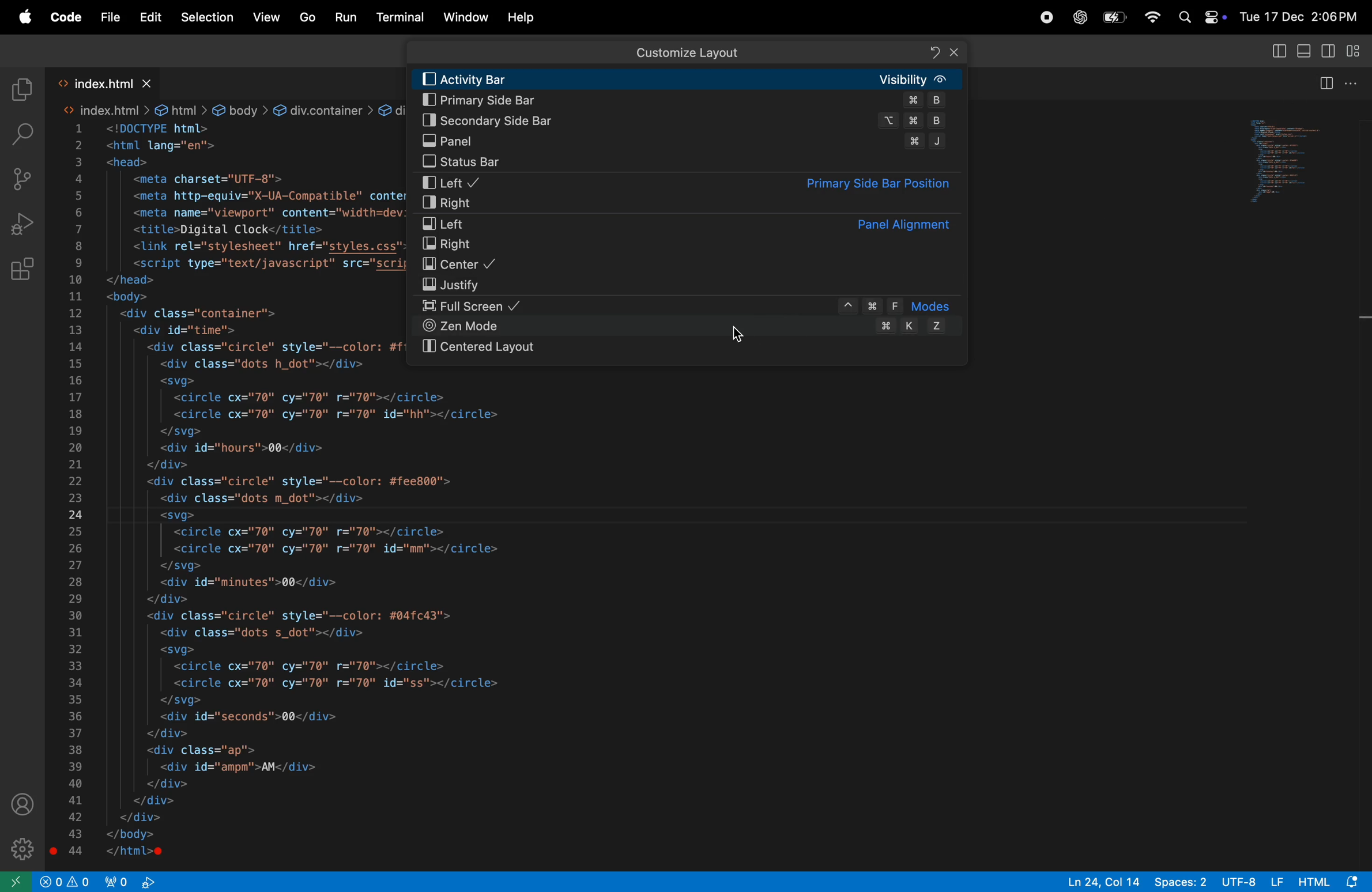 This screenshot has height=892, width=1372. What do you see at coordinates (1325, 84) in the screenshot?
I see `toggle editor` at bounding box center [1325, 84].